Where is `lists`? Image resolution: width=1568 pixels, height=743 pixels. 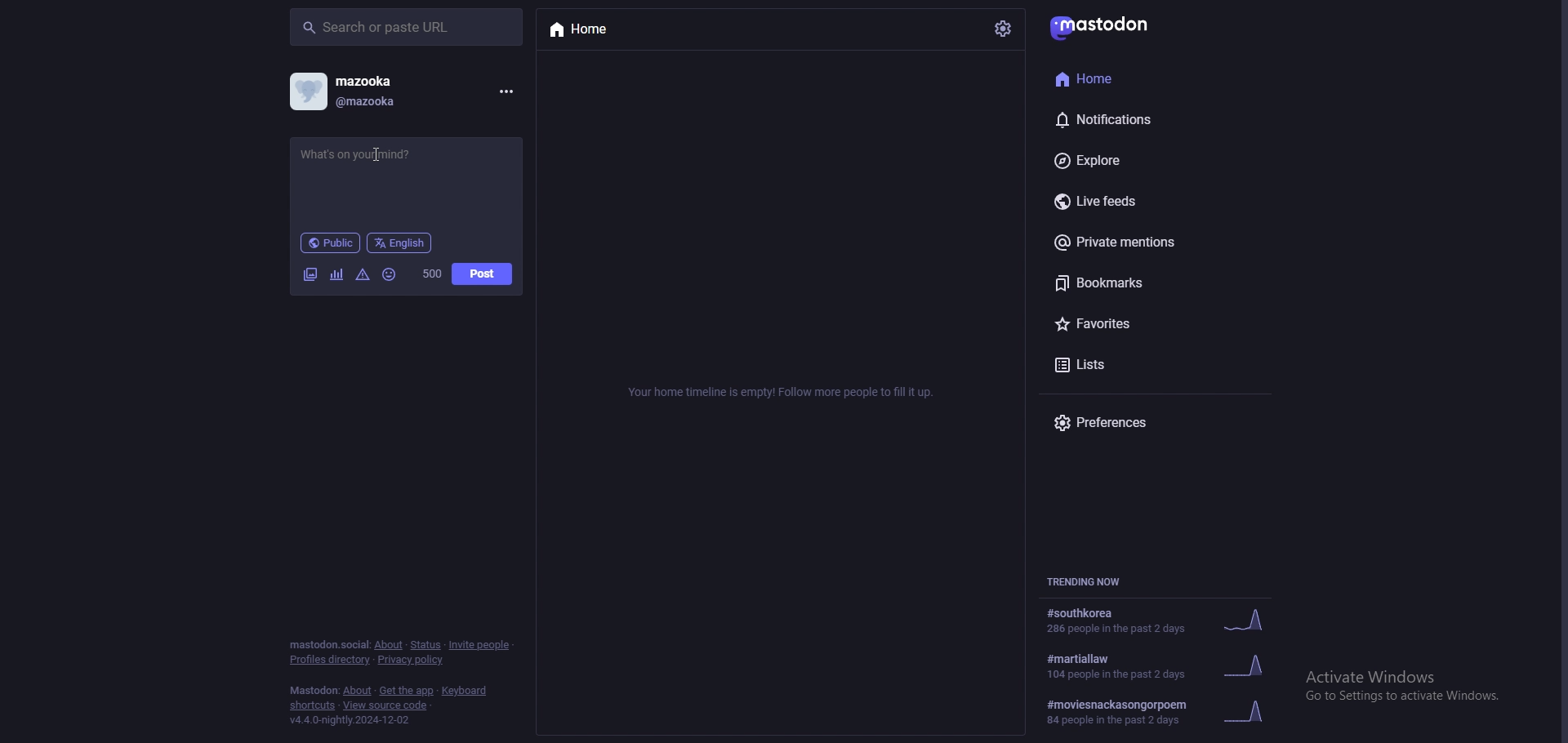 lists is located at coordinates (1146, 365).